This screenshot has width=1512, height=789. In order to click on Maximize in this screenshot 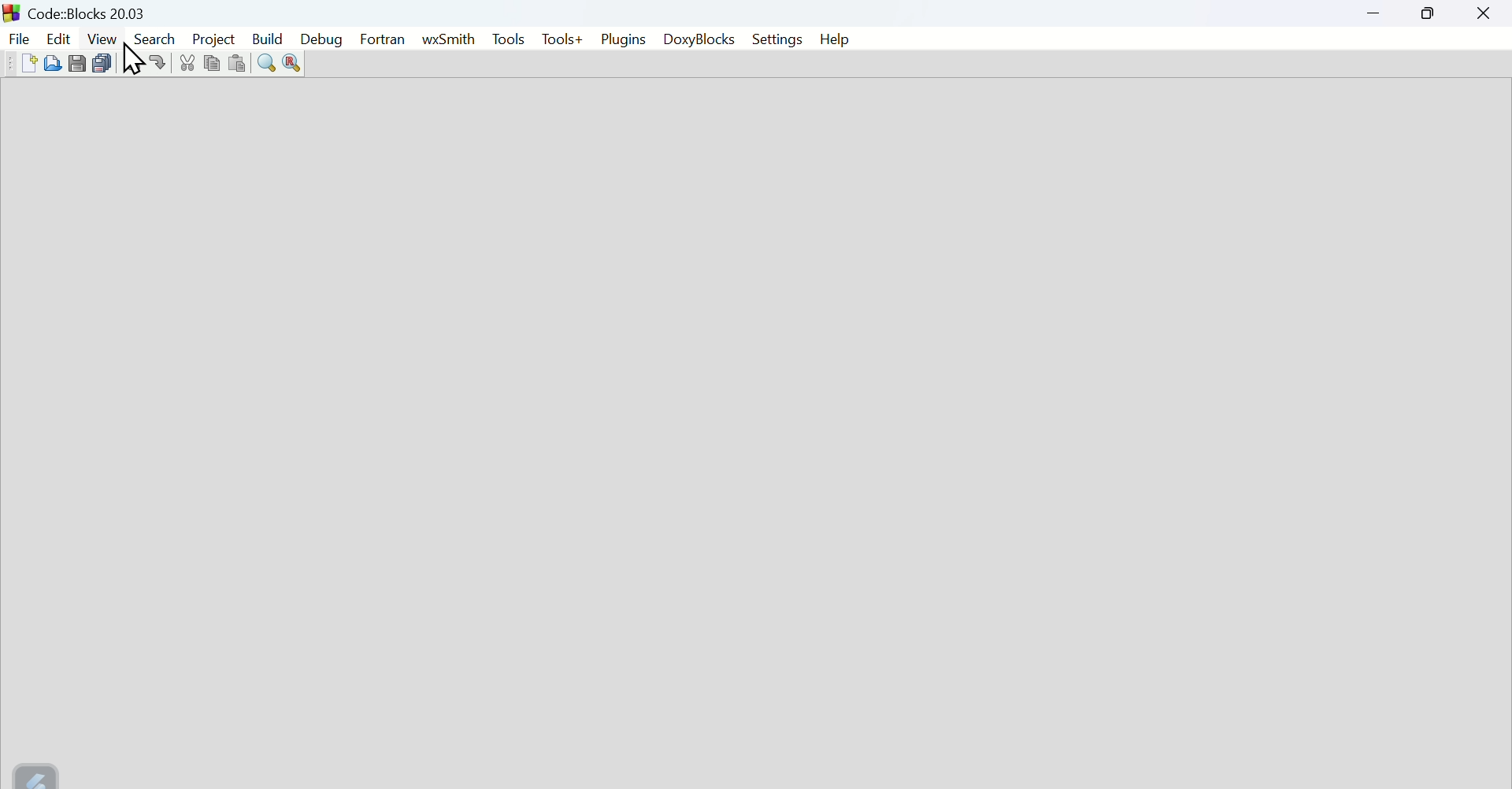, I will do `click(1429, 13)`.